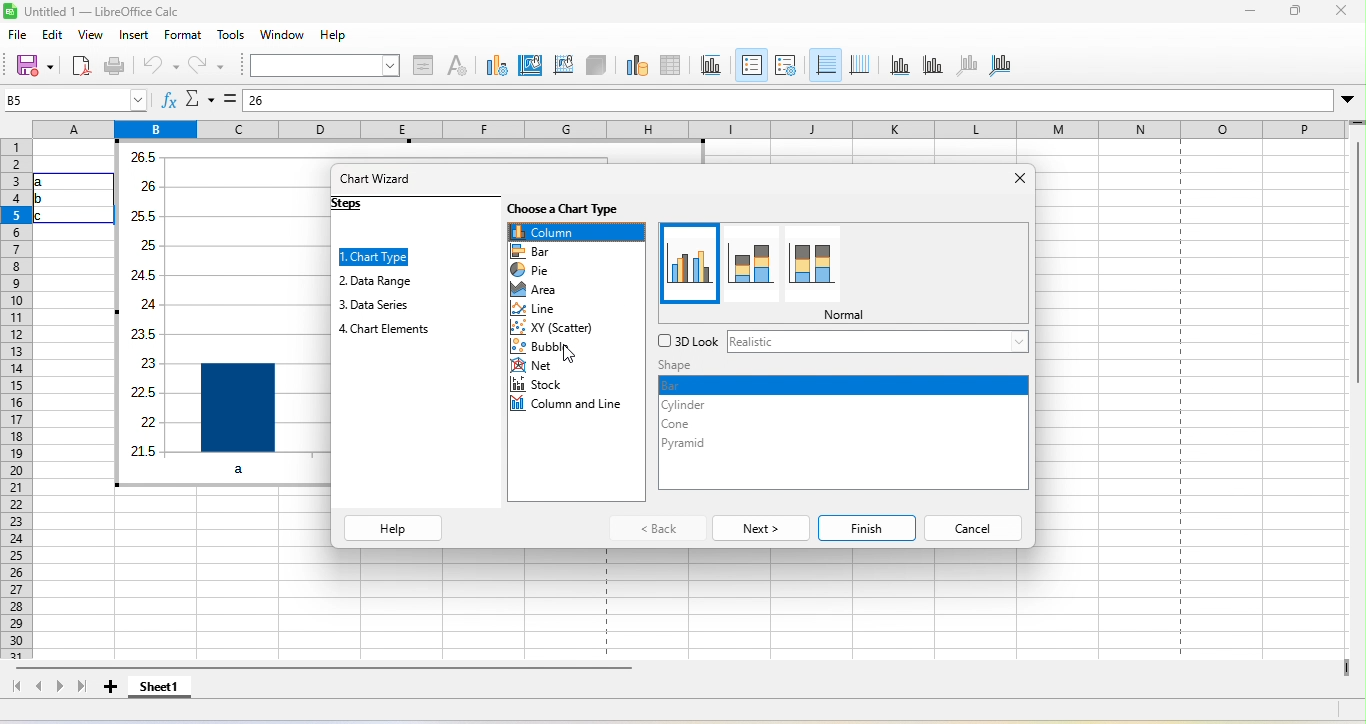 The width and height of the screenshot is (1366, 724). Describe the element at coordinates (326, 66) in the screenshot. I see `chart element` at that location.